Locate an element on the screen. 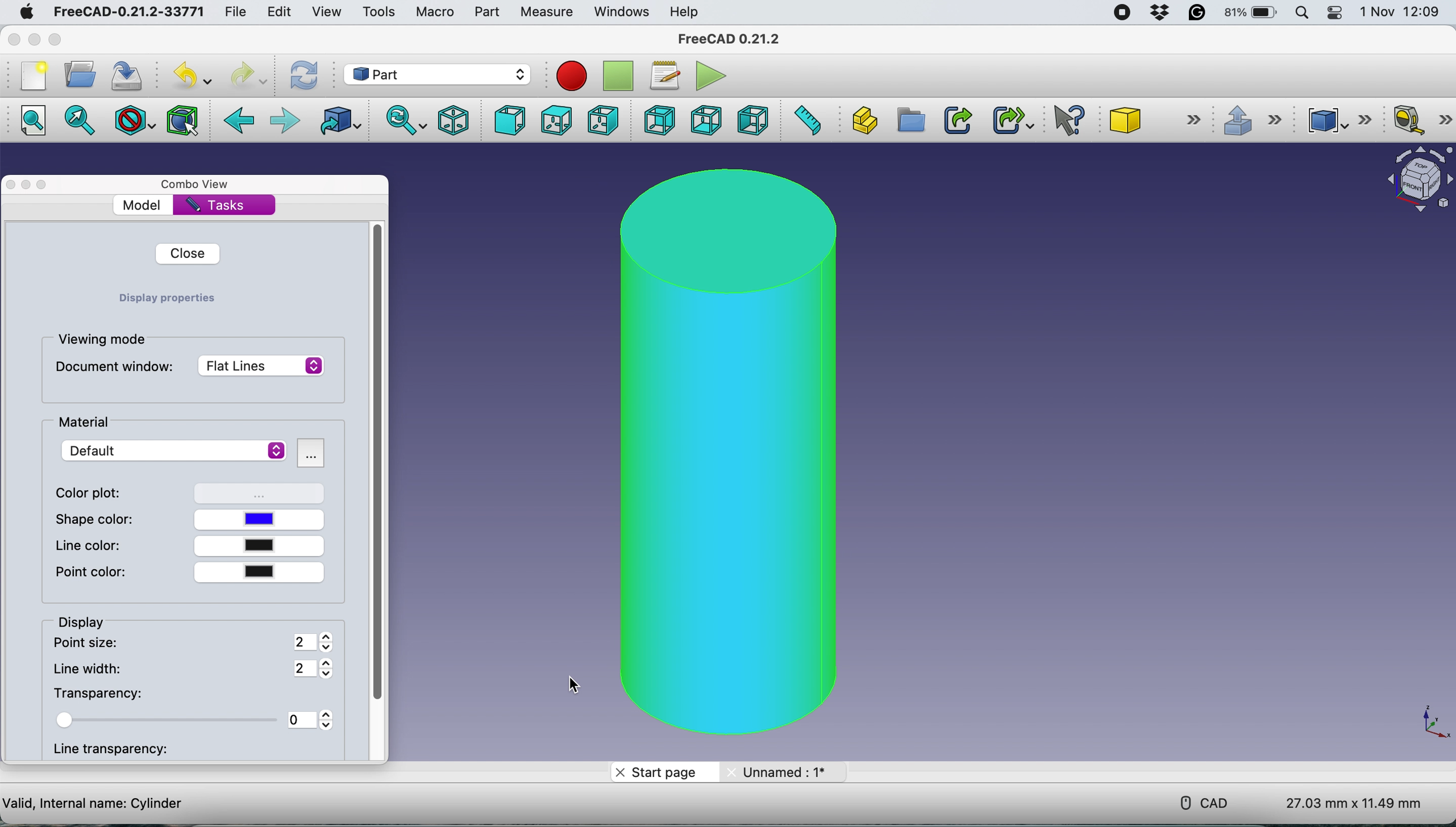 Image resolution: width=1456 pixels, height=827 pixels. tools is located at coordinates (382, 12).